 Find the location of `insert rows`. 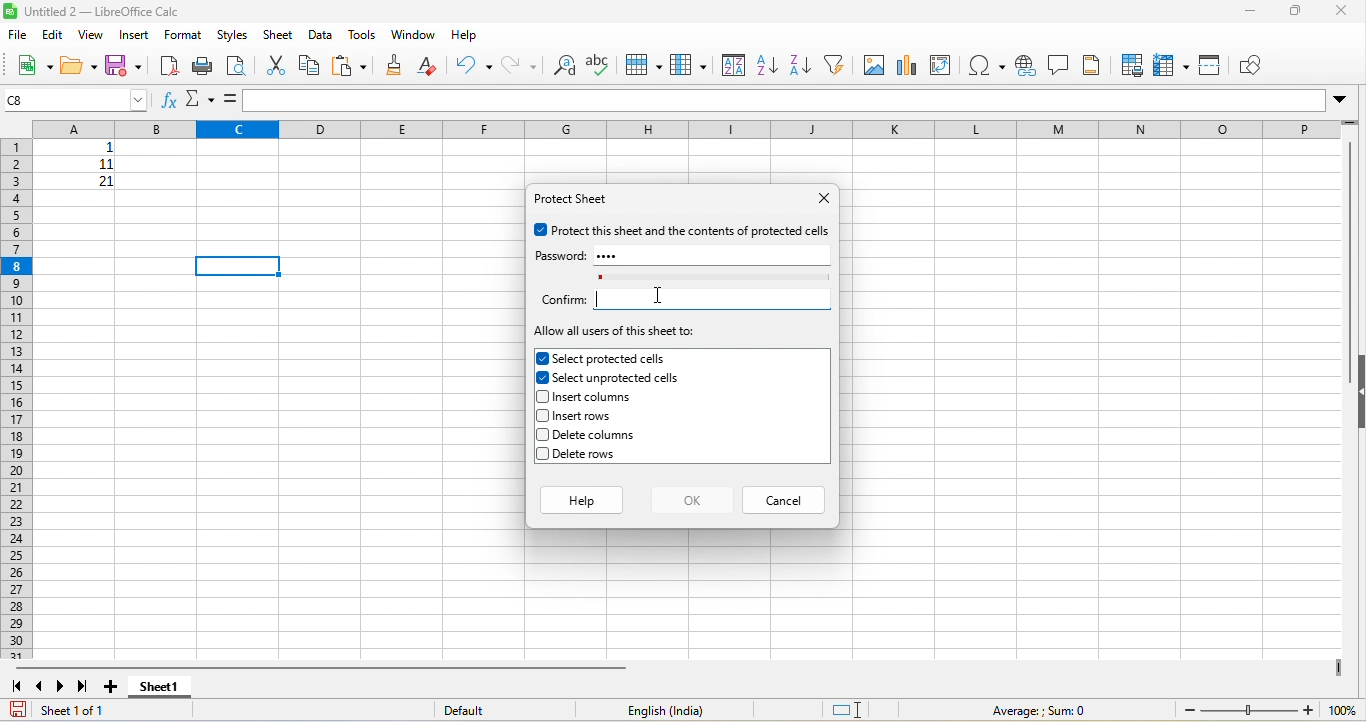

insert rows is located at coordinates (610, 416).